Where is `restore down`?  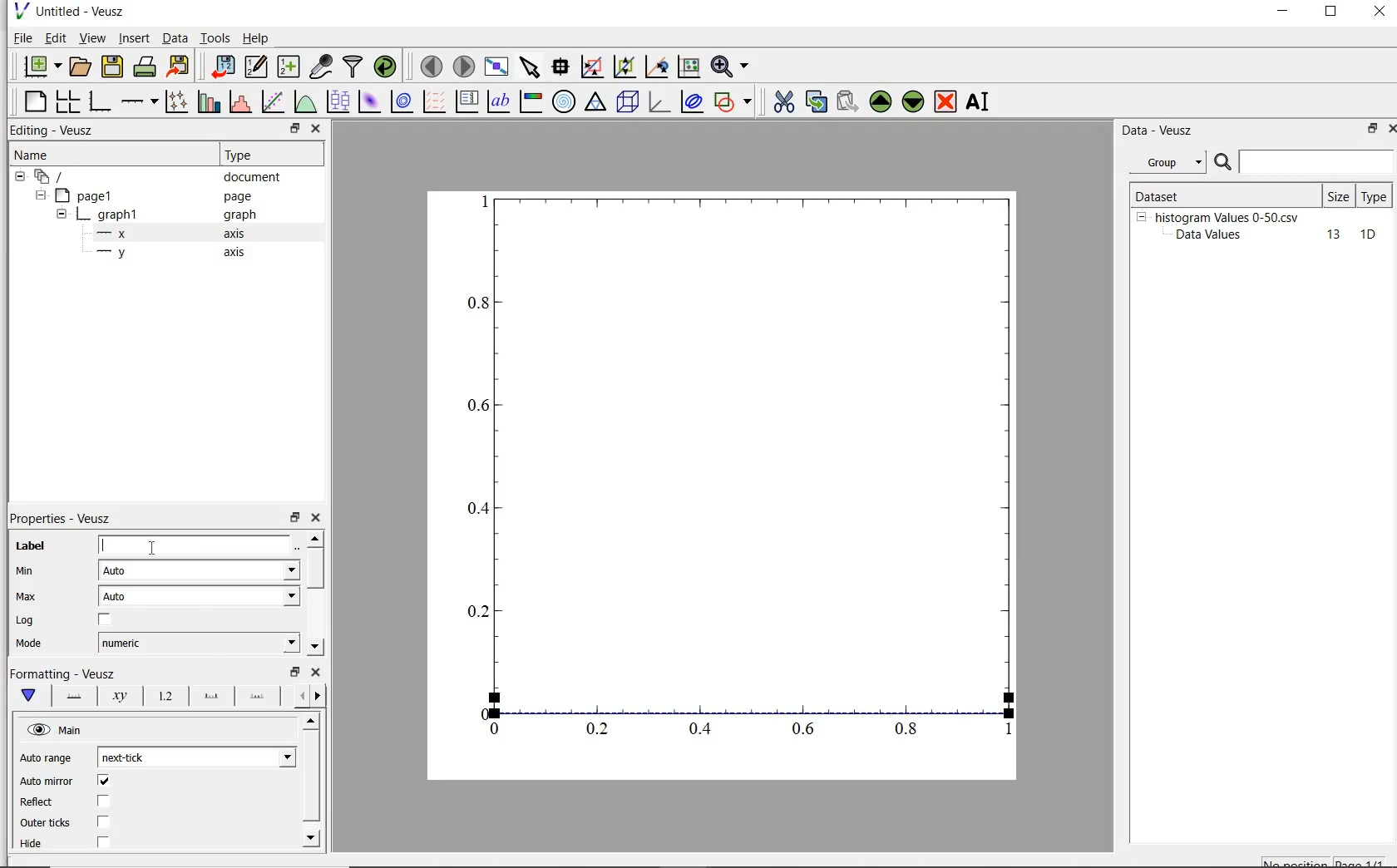 restore down is located at coordinates (295, 518).